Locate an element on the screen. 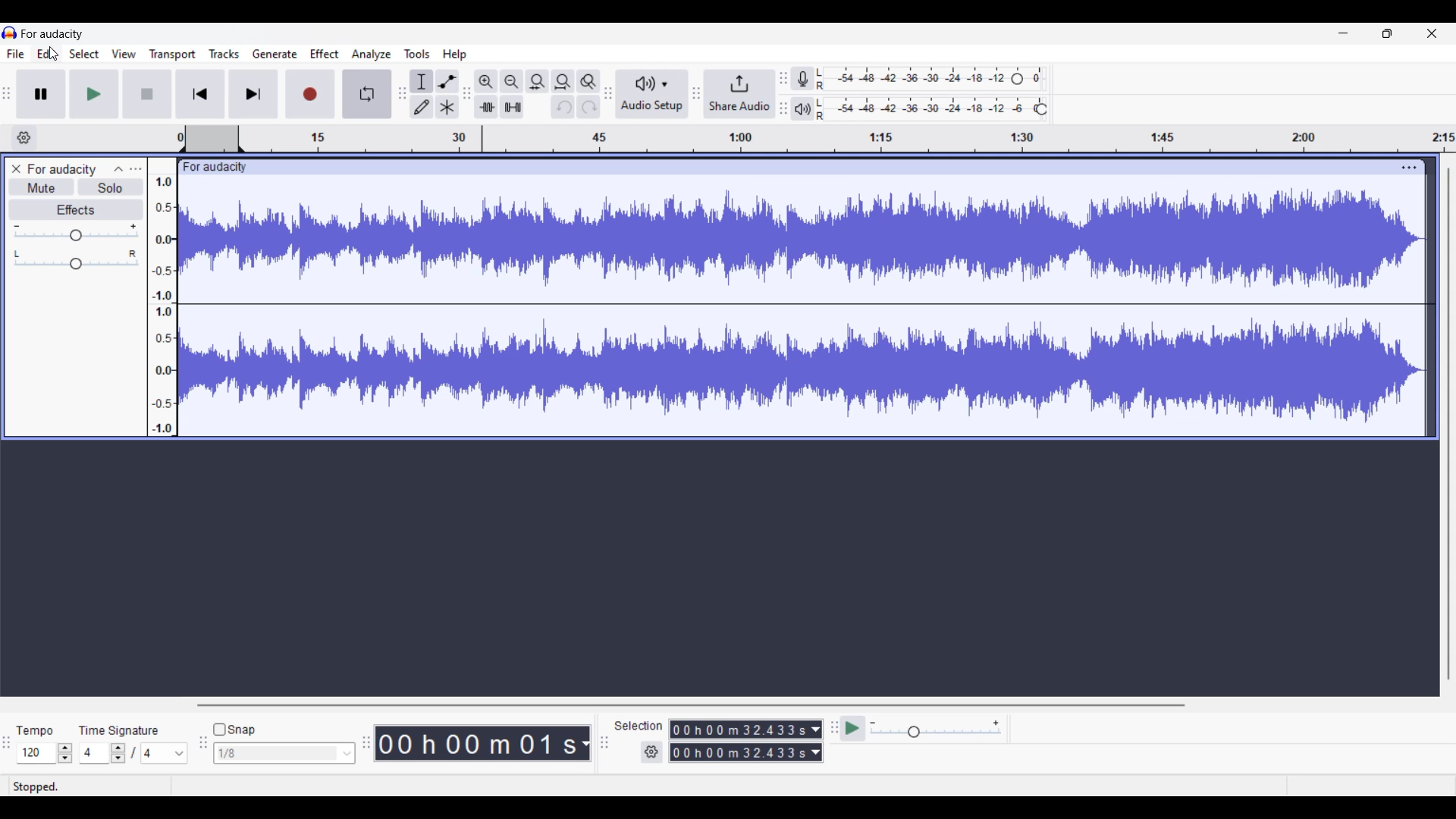 This screenshot has width=1456, height=819. Envelop tool is located at coordinates (447, 82).